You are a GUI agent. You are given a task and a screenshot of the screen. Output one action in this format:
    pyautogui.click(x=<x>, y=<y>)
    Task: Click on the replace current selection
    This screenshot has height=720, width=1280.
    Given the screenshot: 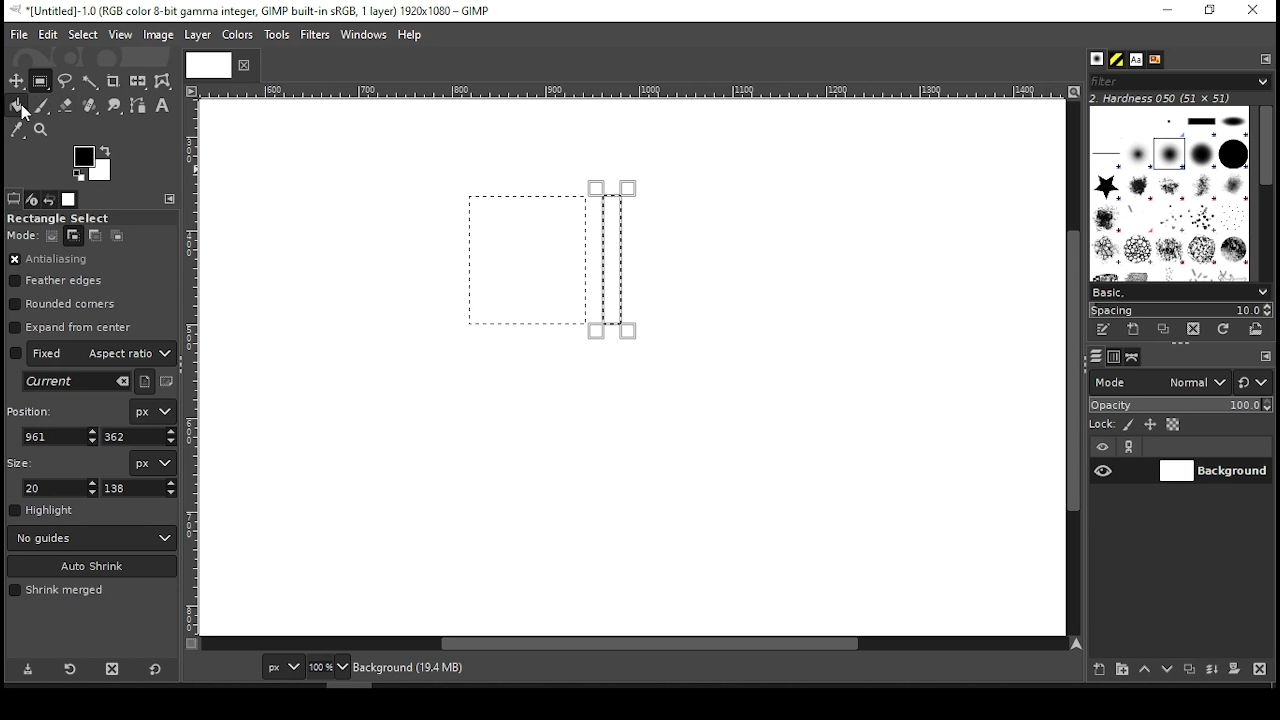 What is the action you would take?
    pyautogui.click(x=53, y=236)
    